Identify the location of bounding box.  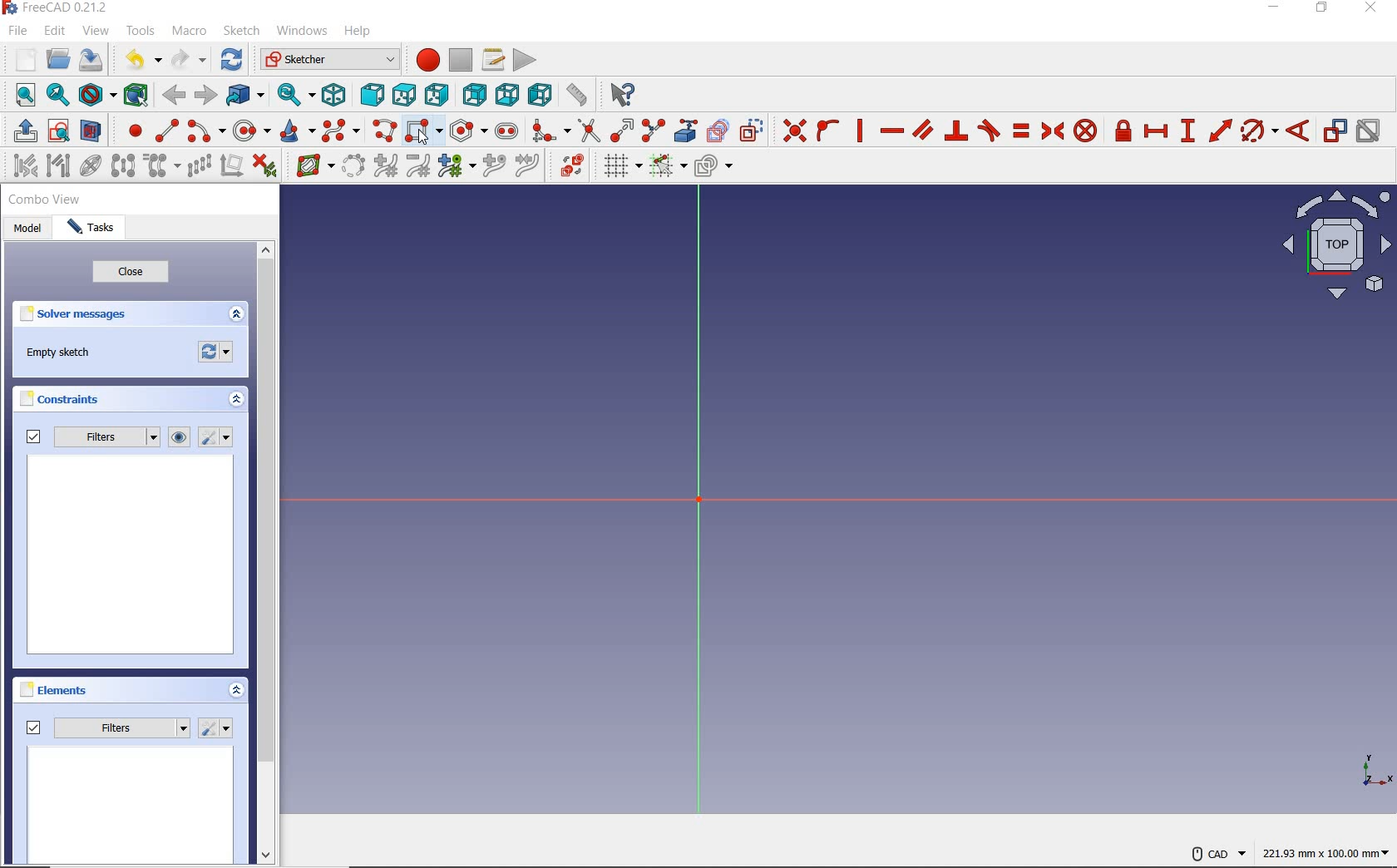
(135, 94).